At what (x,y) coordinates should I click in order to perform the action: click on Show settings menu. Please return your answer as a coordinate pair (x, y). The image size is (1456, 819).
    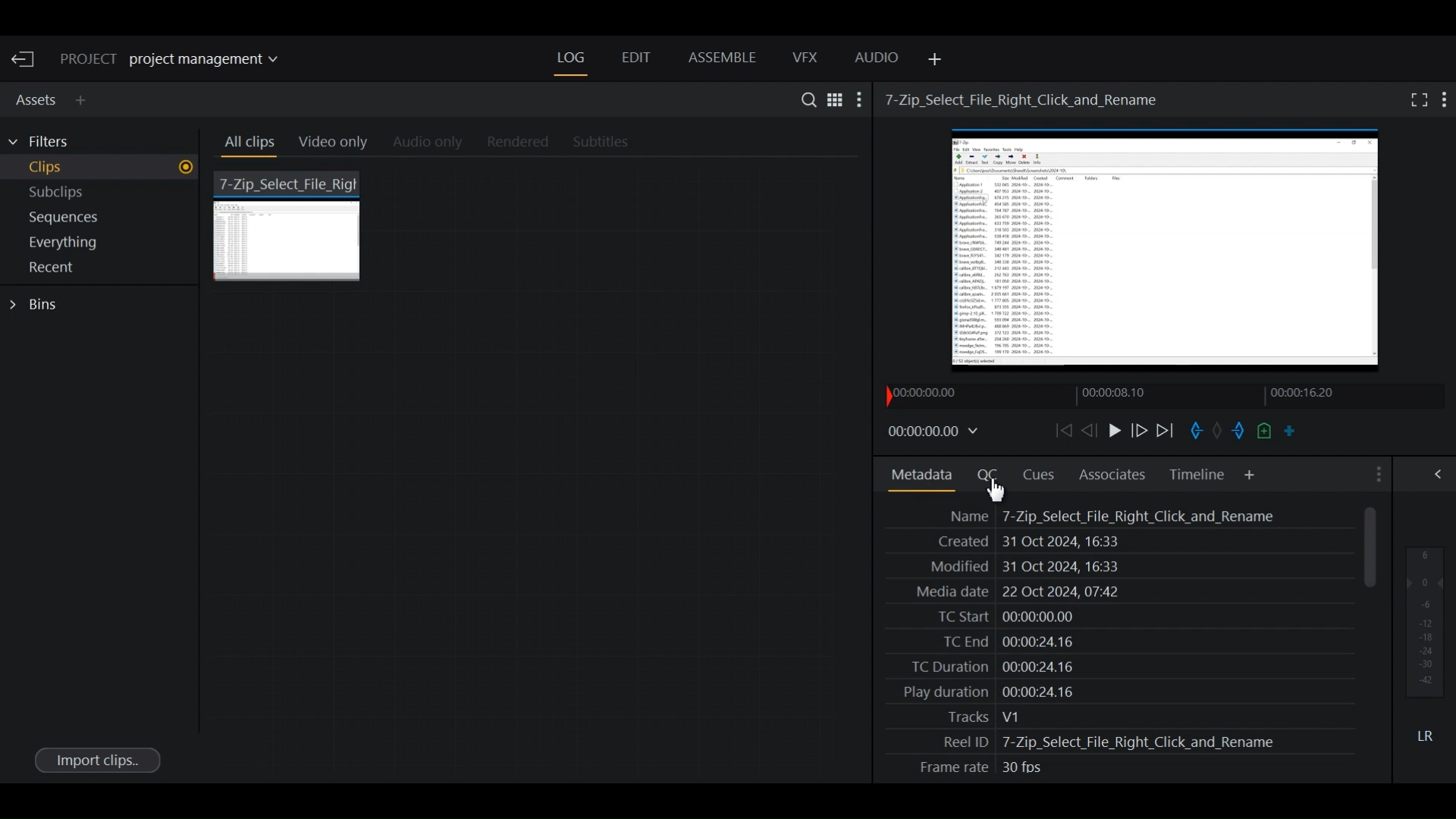
    Looking at the image, I should click on (861, 99).